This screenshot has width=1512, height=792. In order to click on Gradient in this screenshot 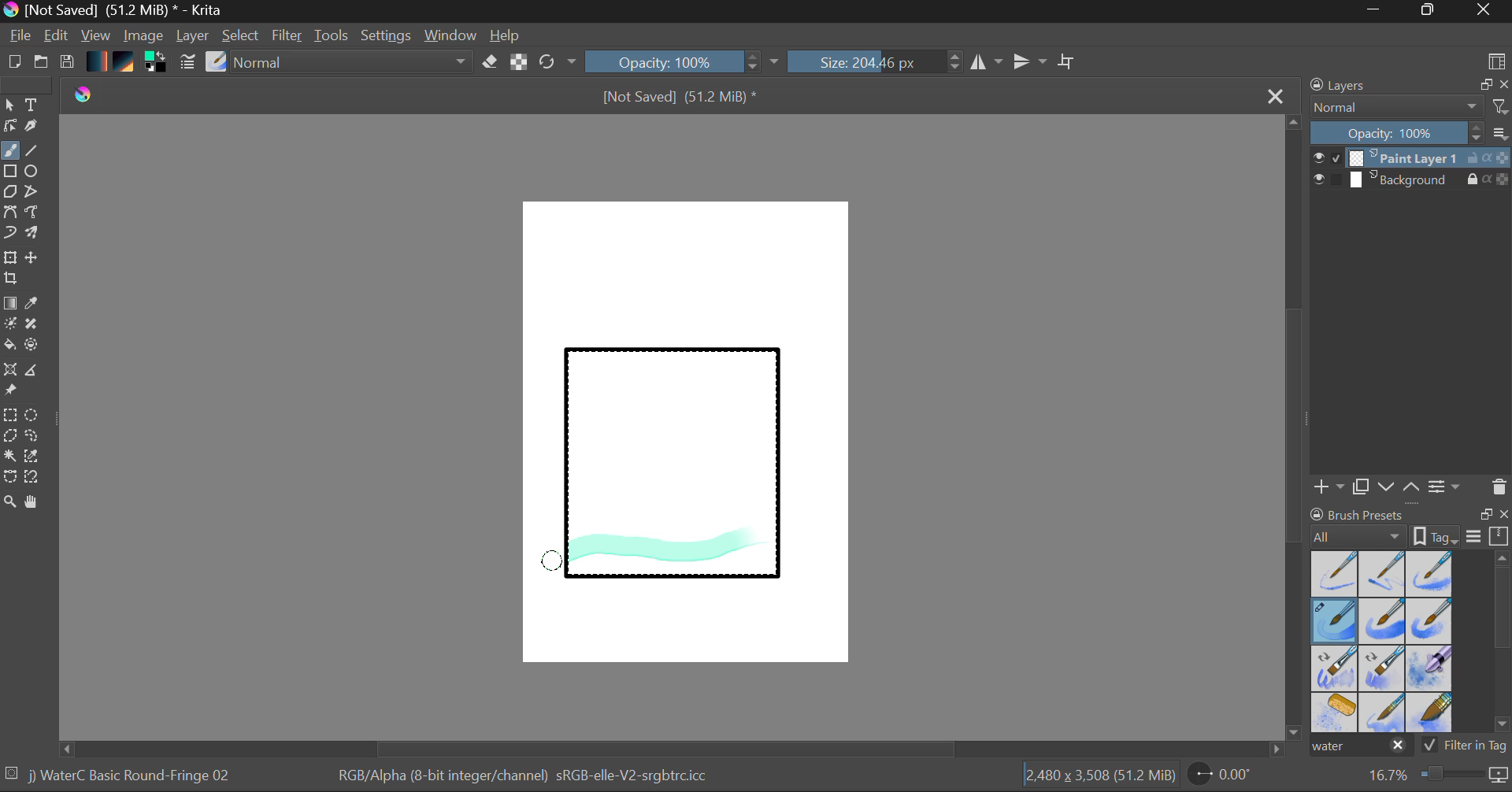, I will do `click(95, 60)`.